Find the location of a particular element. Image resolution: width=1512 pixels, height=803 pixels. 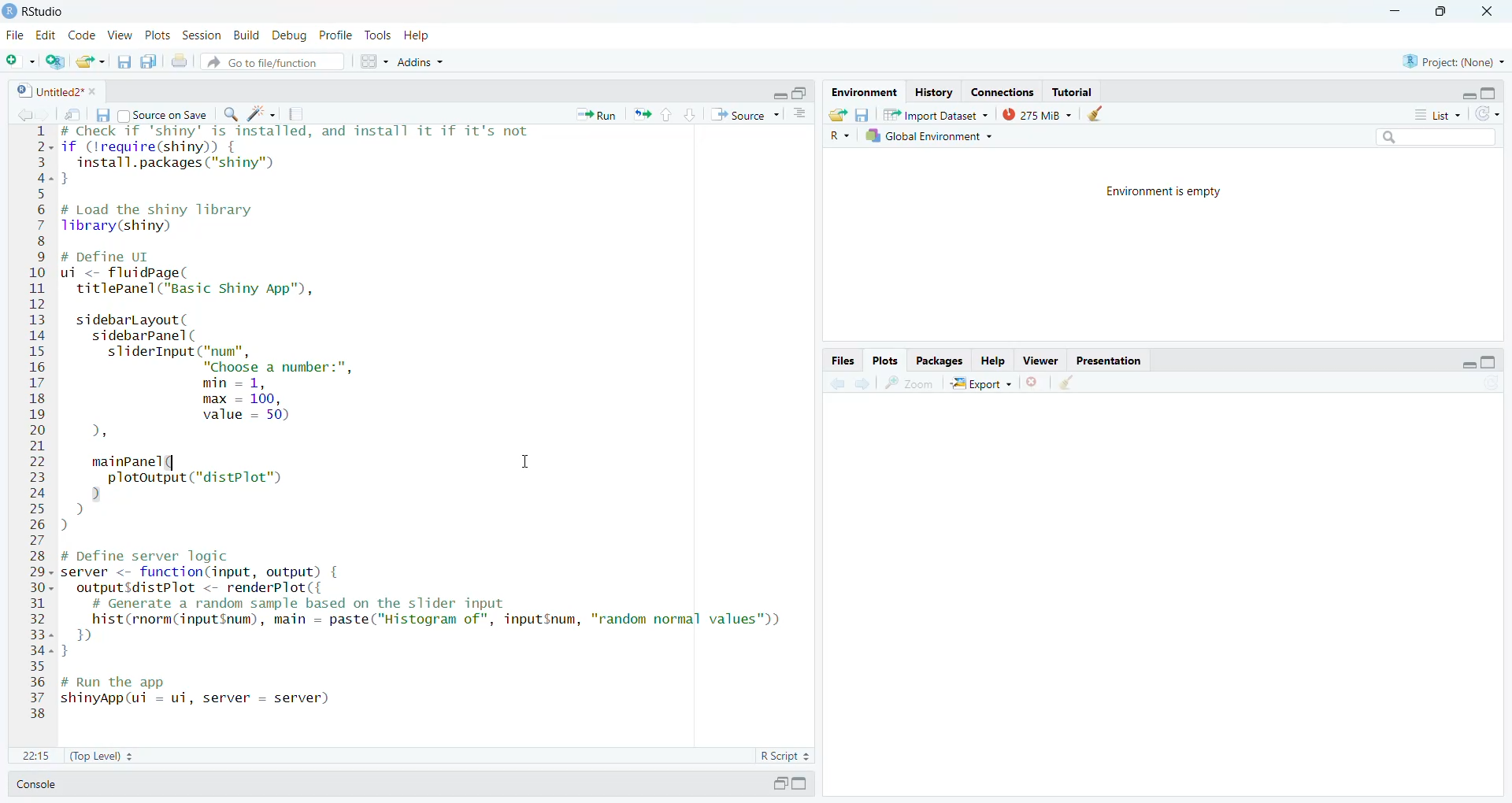

Console is located at coordinates (36, 784).